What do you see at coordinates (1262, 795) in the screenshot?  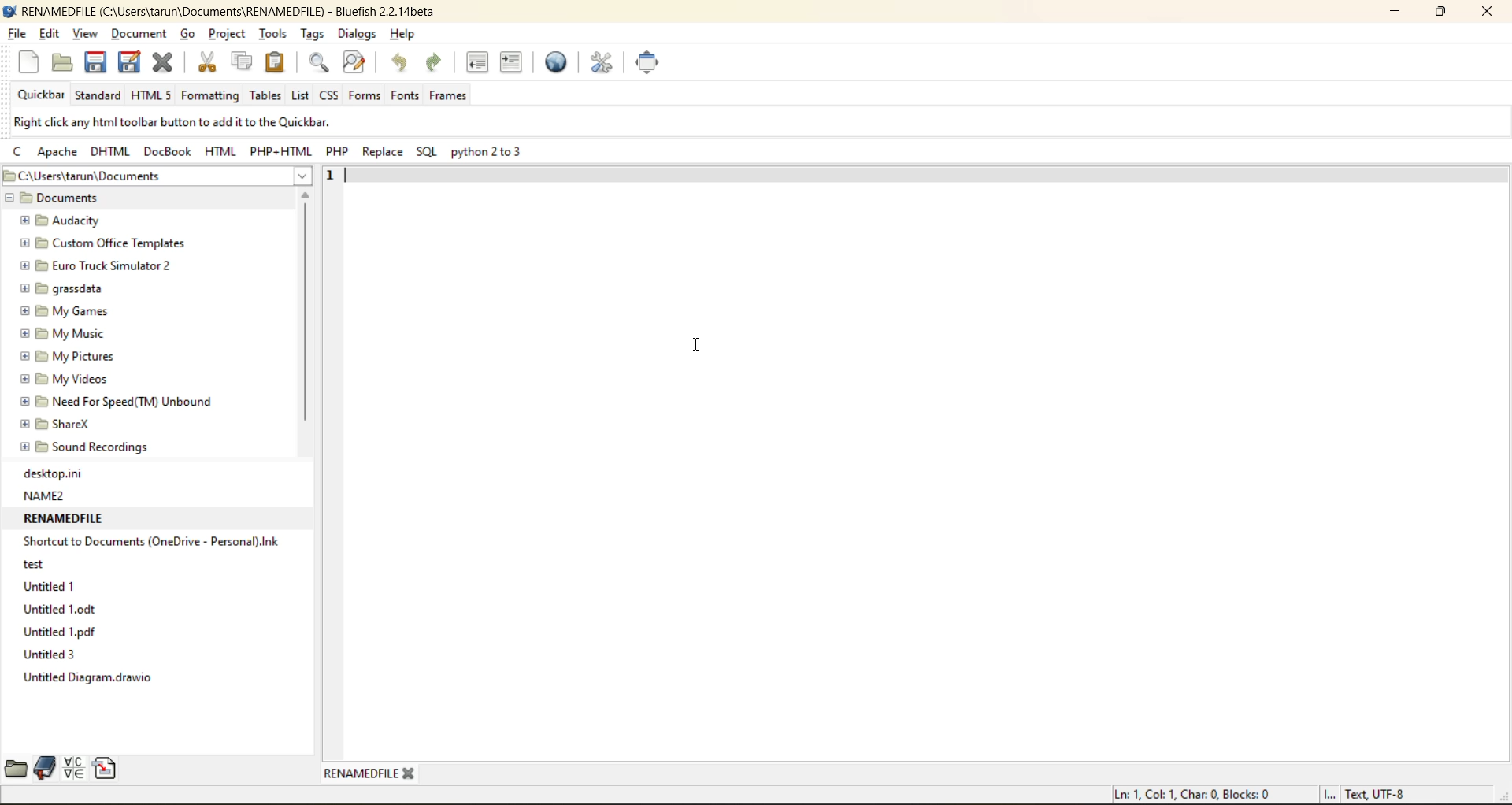 I see `metadata` at bounding box center [1262, 795].